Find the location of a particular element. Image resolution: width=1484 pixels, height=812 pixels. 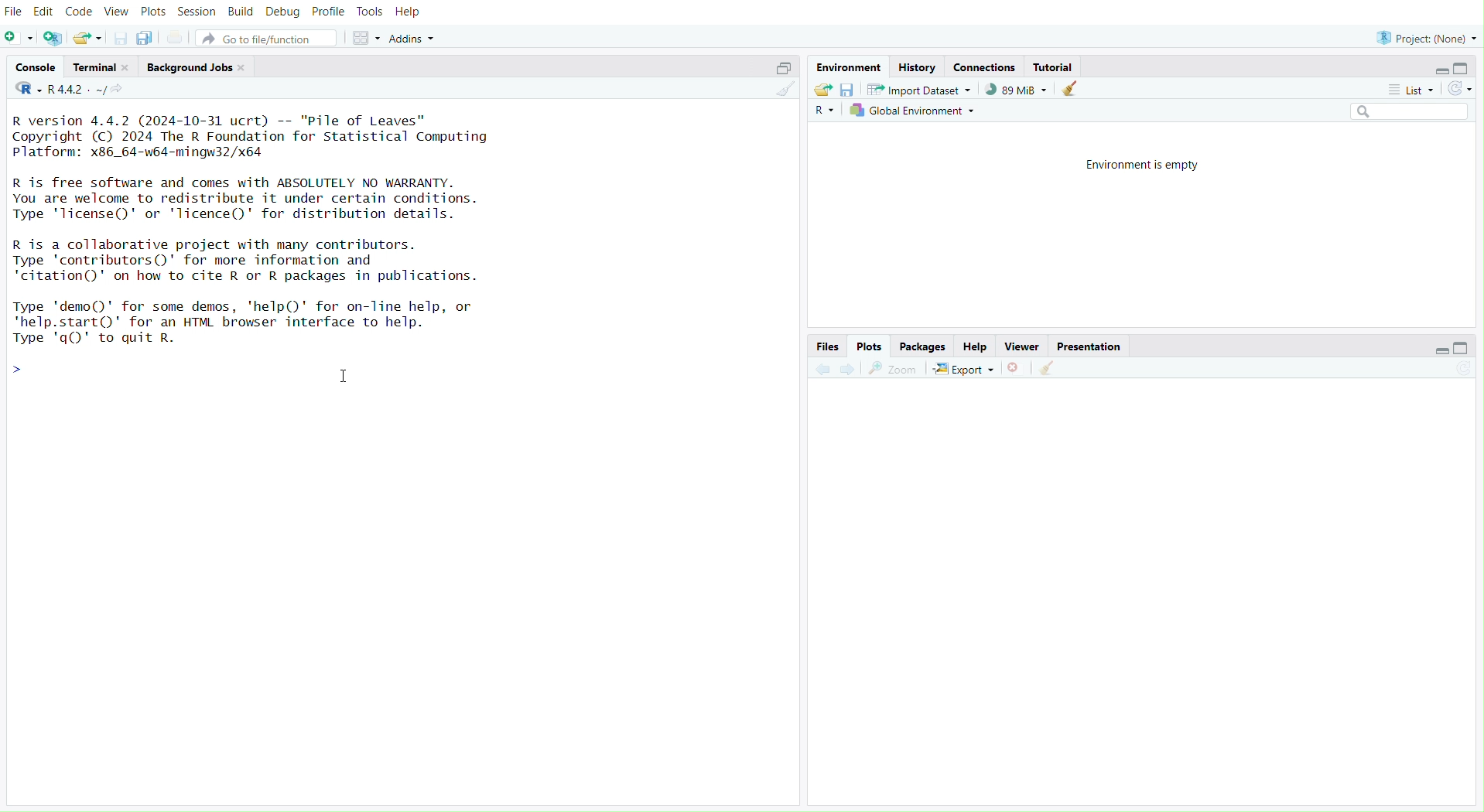

Refresh the list of objects in the environment is located at coordinates (1459, 87).